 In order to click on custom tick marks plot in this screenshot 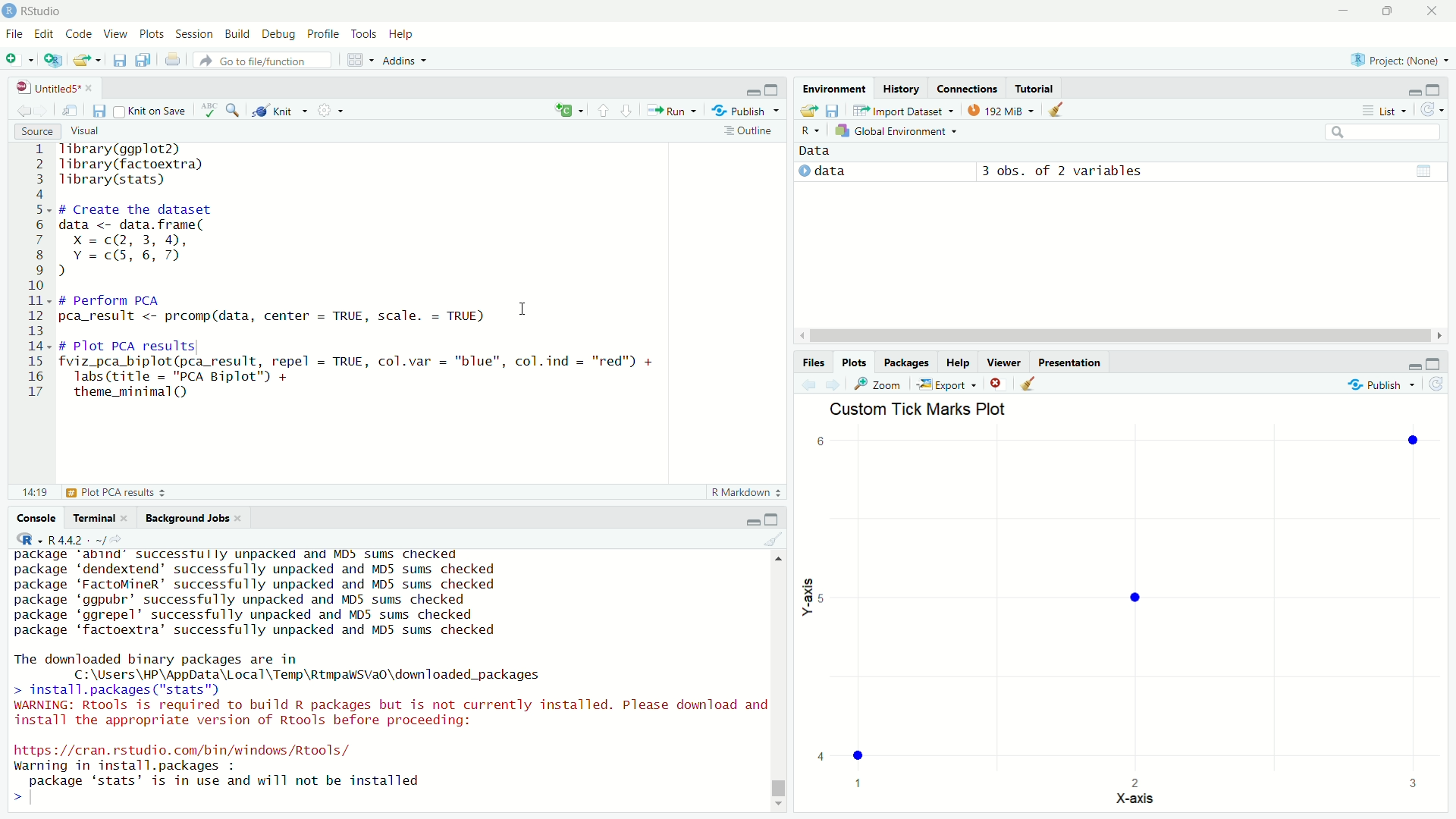, I will do `click(1125, 607)`.